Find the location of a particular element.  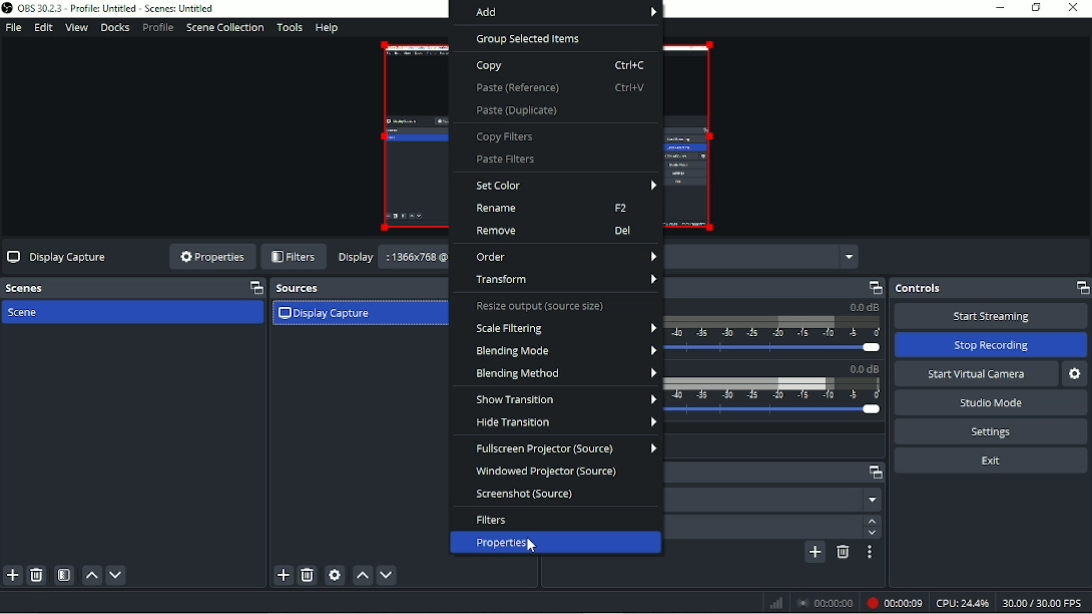

Docks is located at coordinates (116, 29).